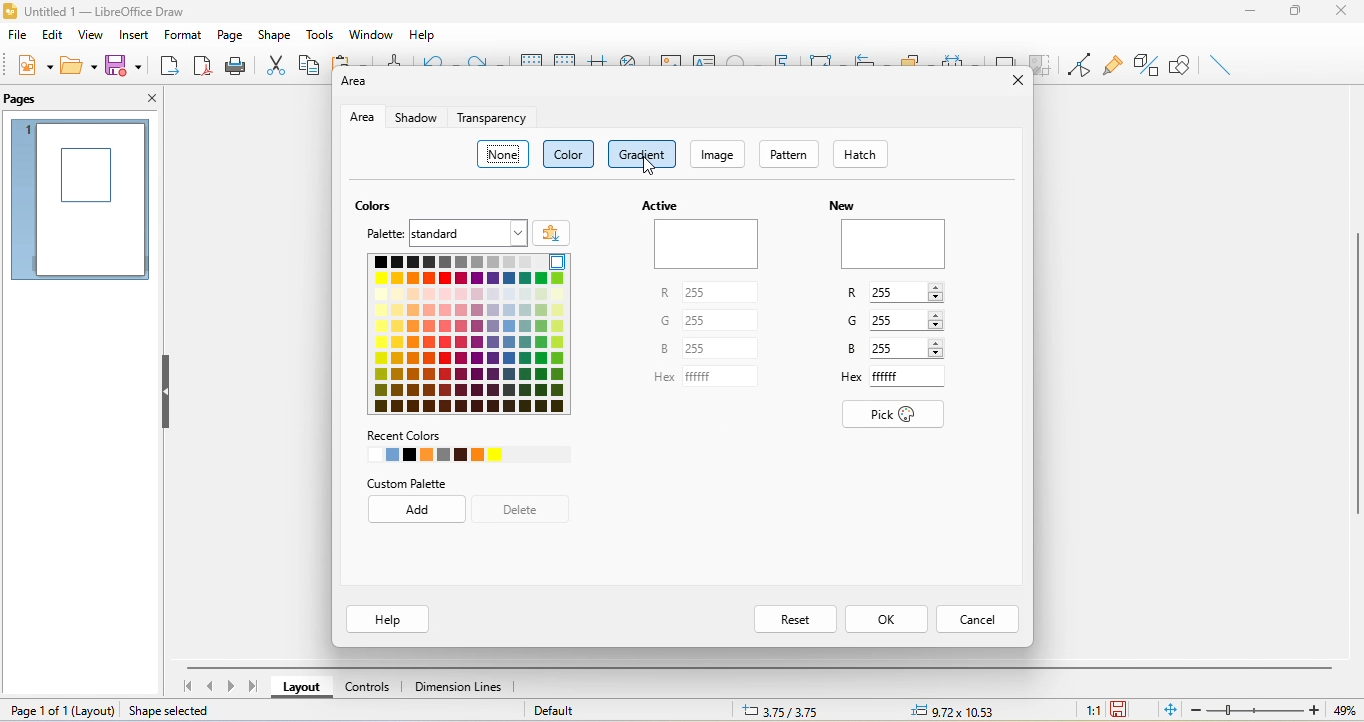  I want to click on 255, so click(722, 351).